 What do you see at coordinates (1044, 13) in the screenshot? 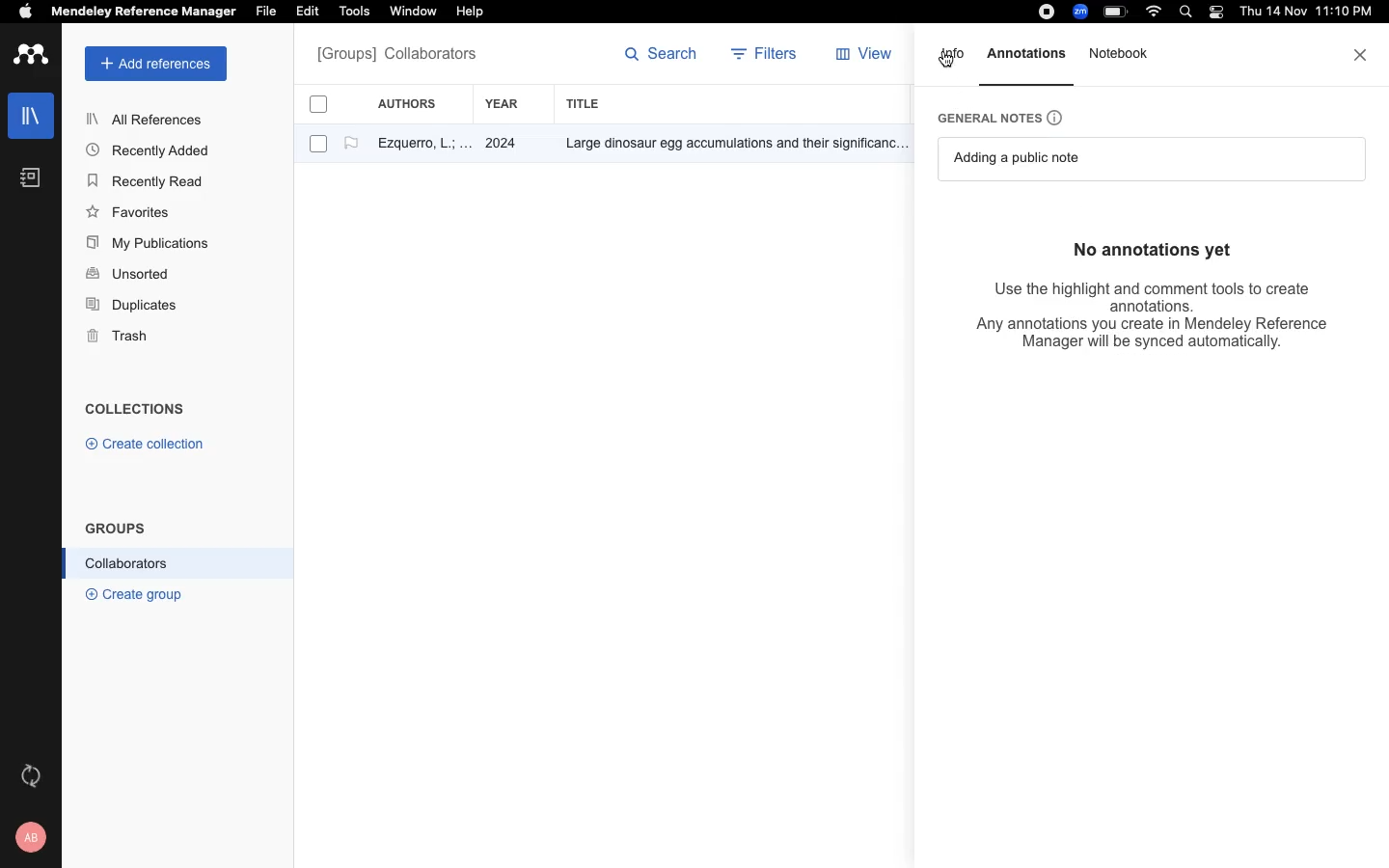
I see `recording` at bounding box center [1044, 13].